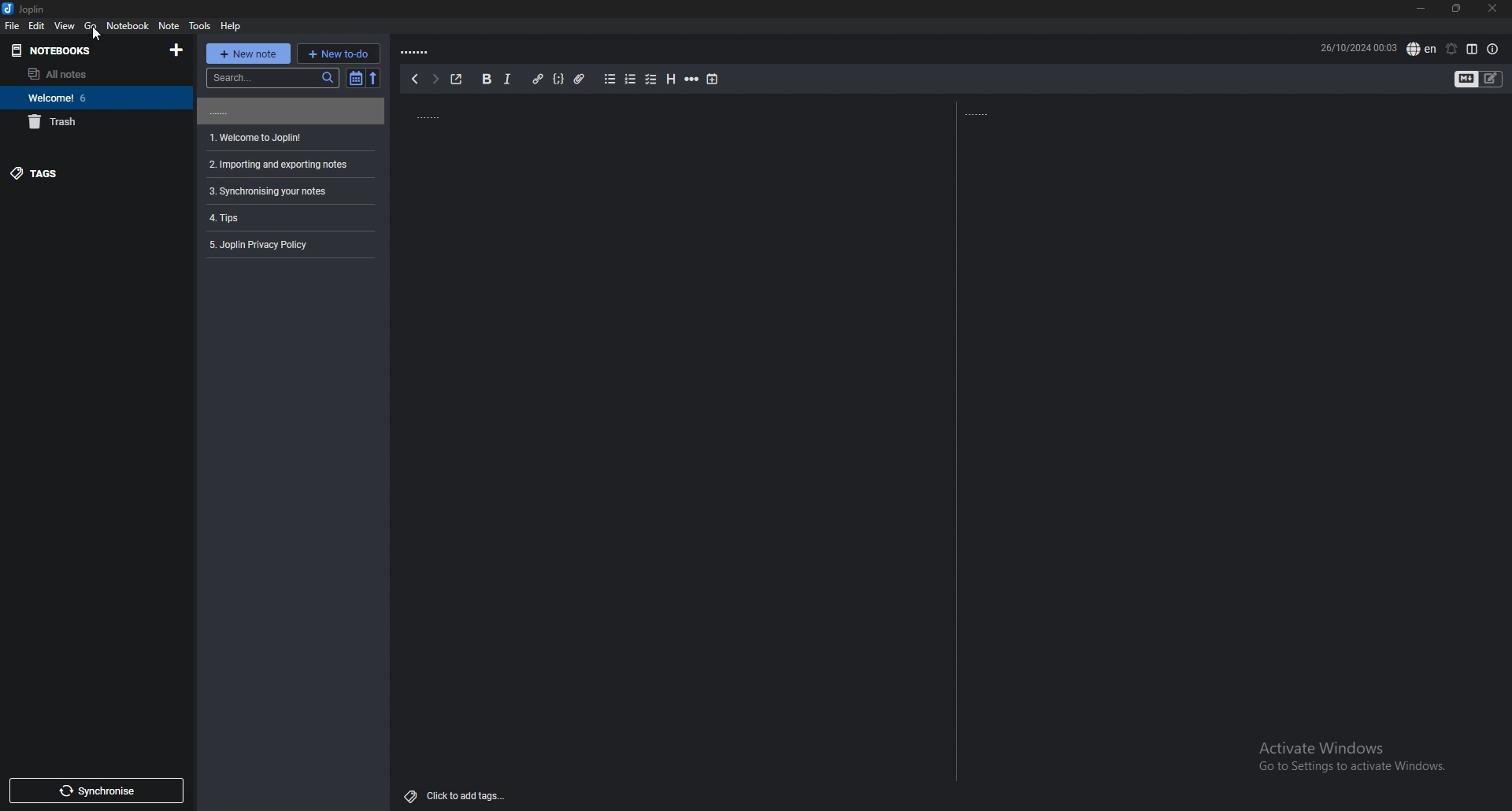 The image size is (1512, 811). What do you see at coordinates (88, 98) in the screenshot?
I see `welcome` at bounding box center [88, 98].